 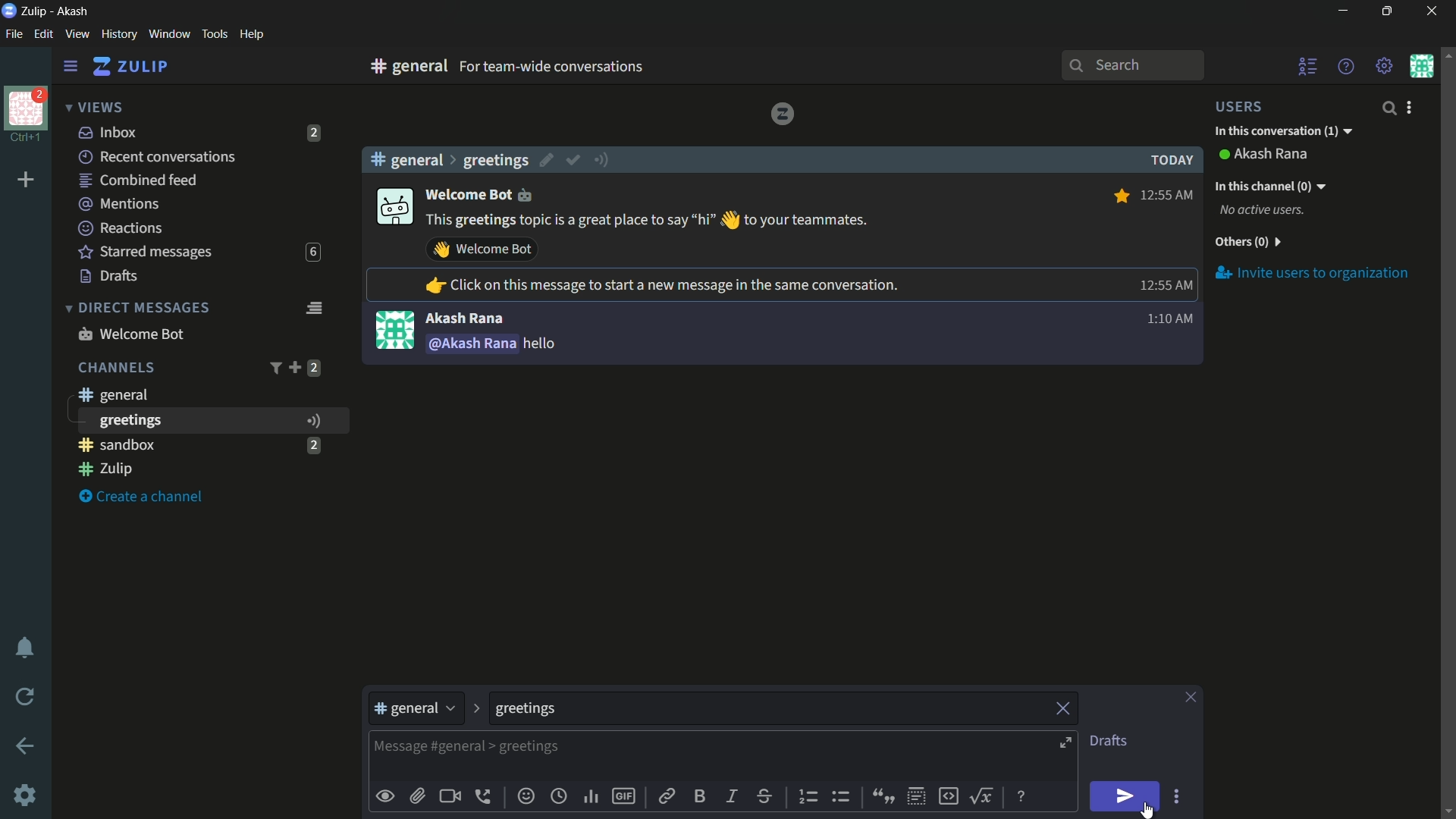 I want to click on welcome bot, so click(x=487, y=193).